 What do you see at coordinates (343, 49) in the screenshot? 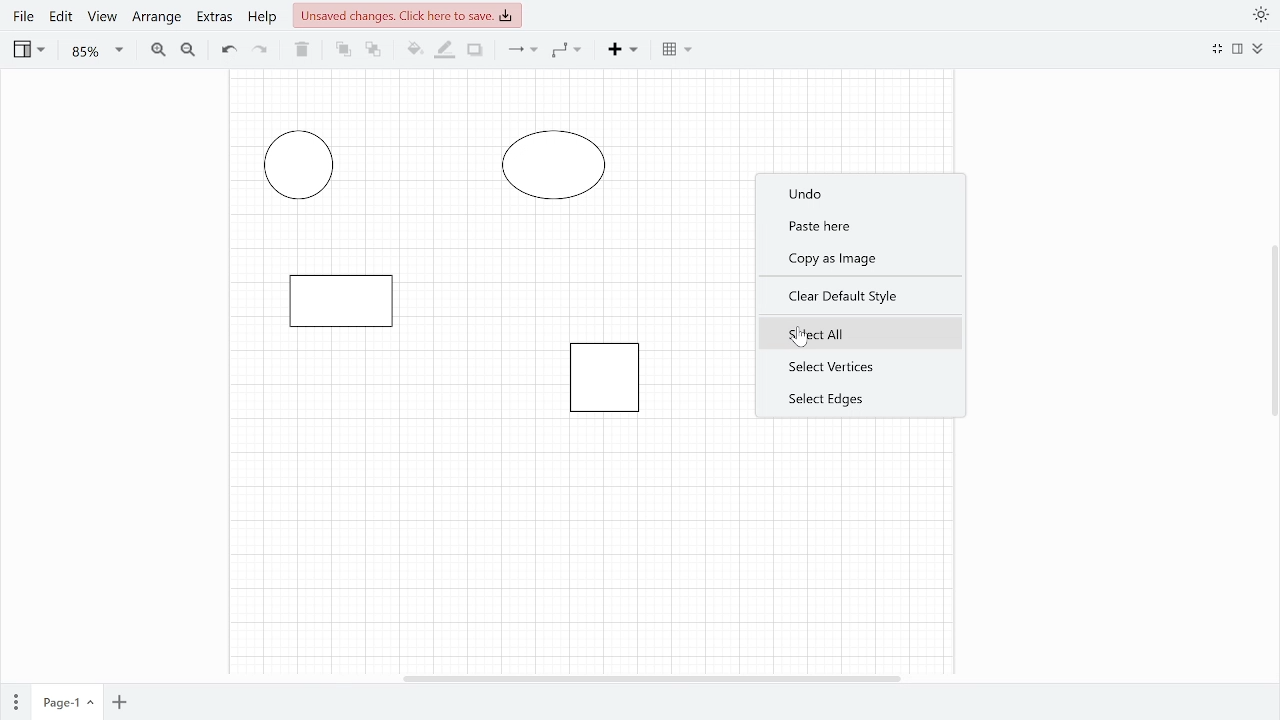
I see `To front` at bounding box center [343, 49].